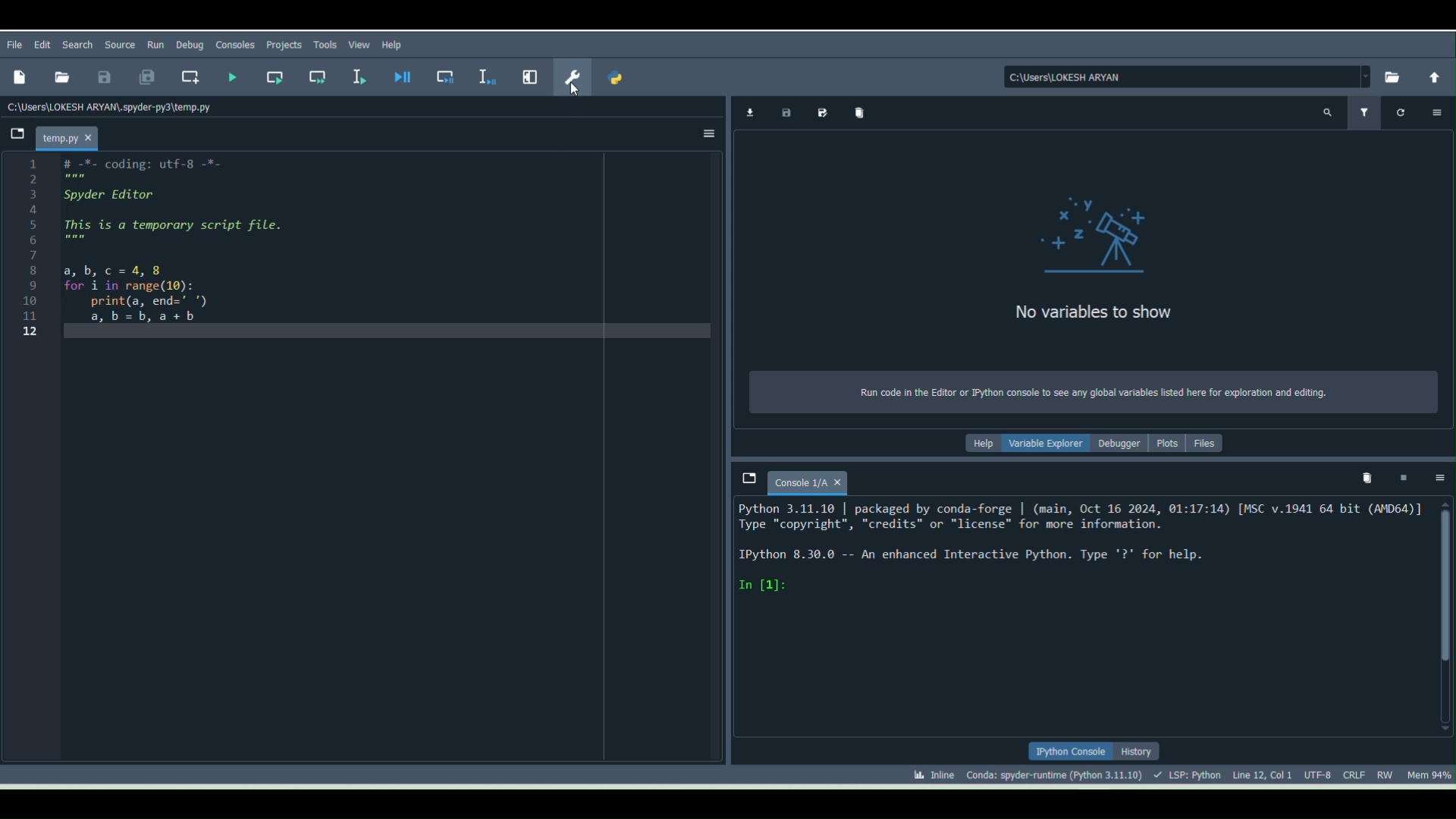  Describe the element at coordinates (396, 44) in the screenshot. I see `Help` at that location.